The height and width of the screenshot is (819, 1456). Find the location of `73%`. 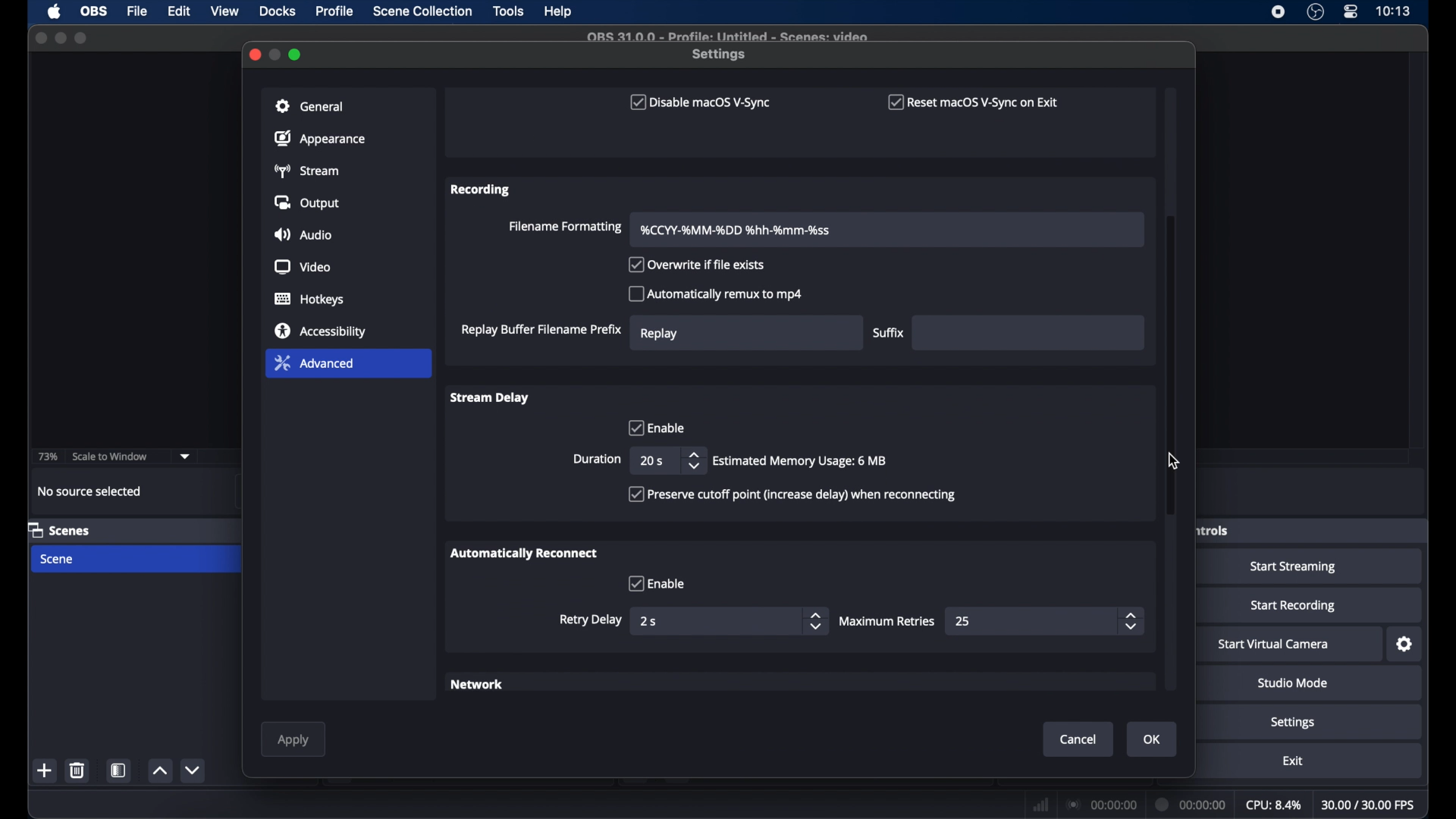

73% is located at coordinates (49, 457).